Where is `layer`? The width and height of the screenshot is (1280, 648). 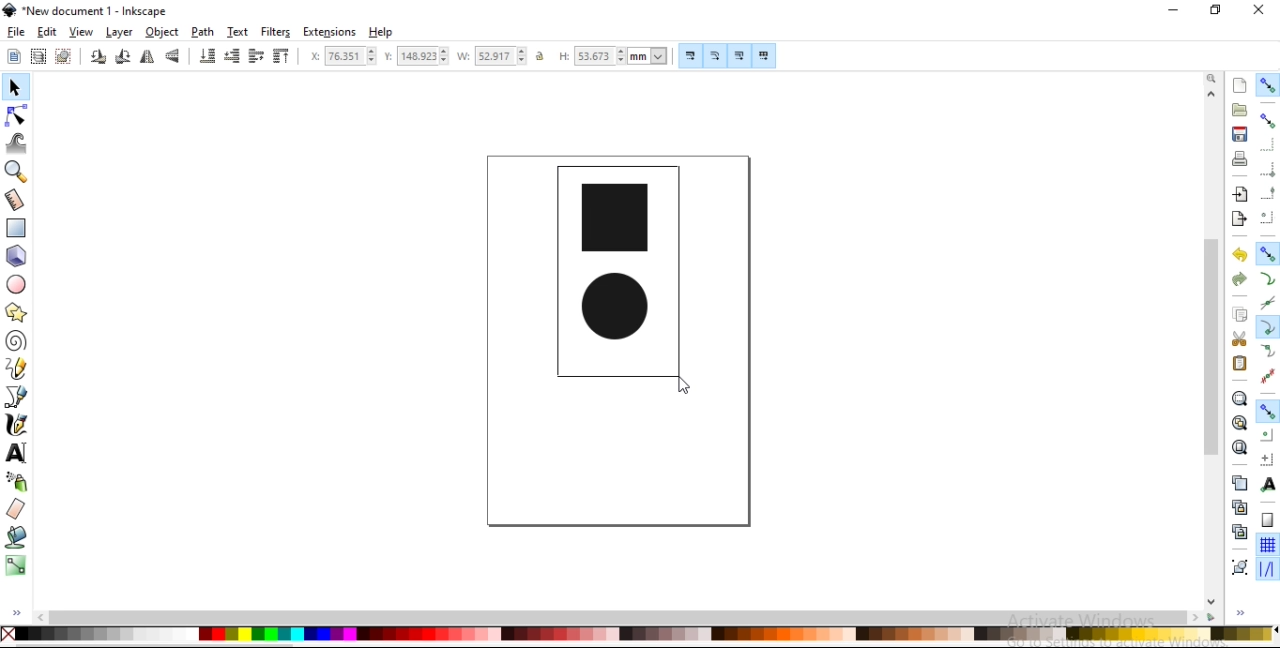
layer is located at coordinates (118, 33).